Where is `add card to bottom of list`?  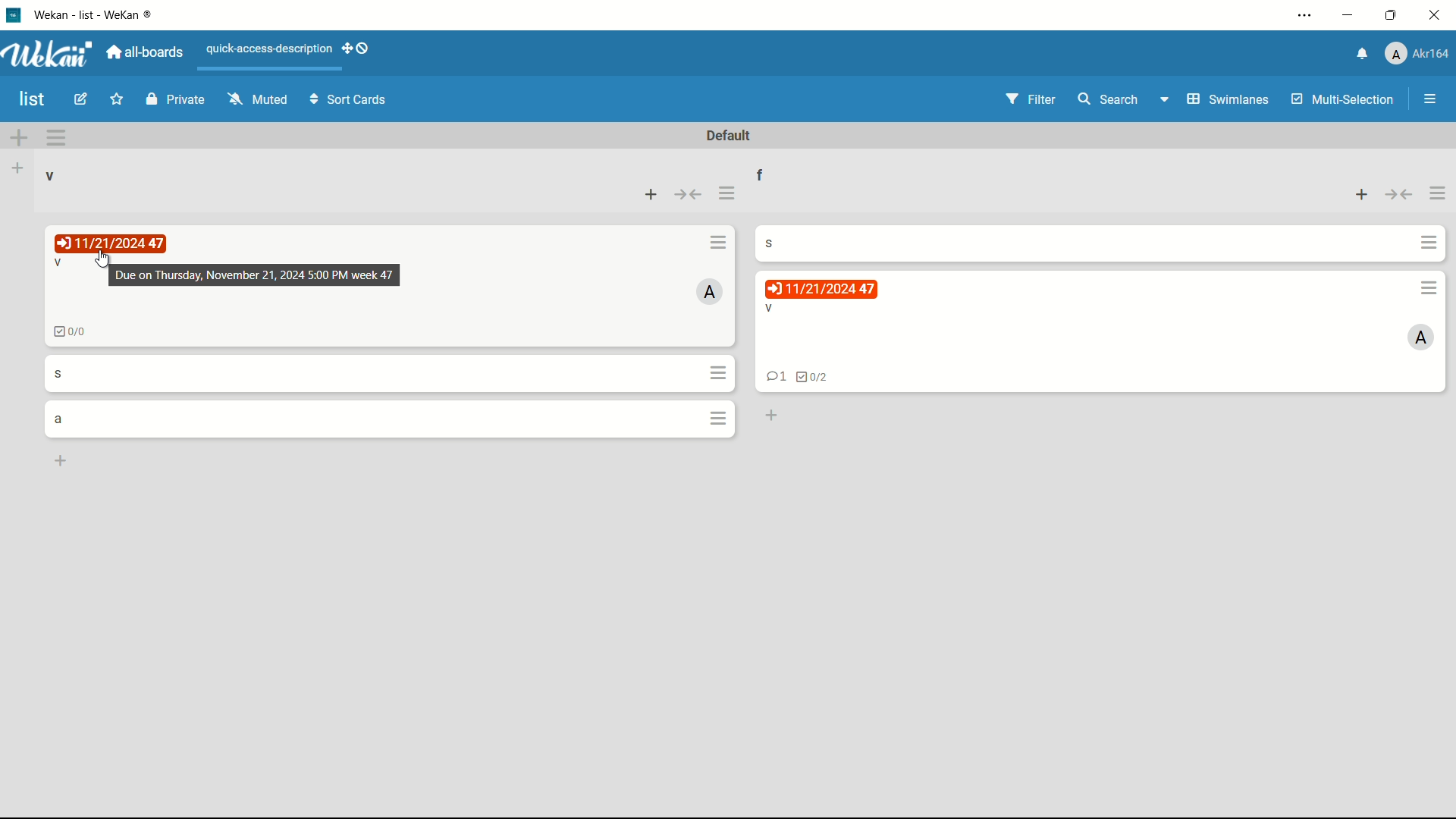 add card to bottom of list is located at coordinates (61, 460).